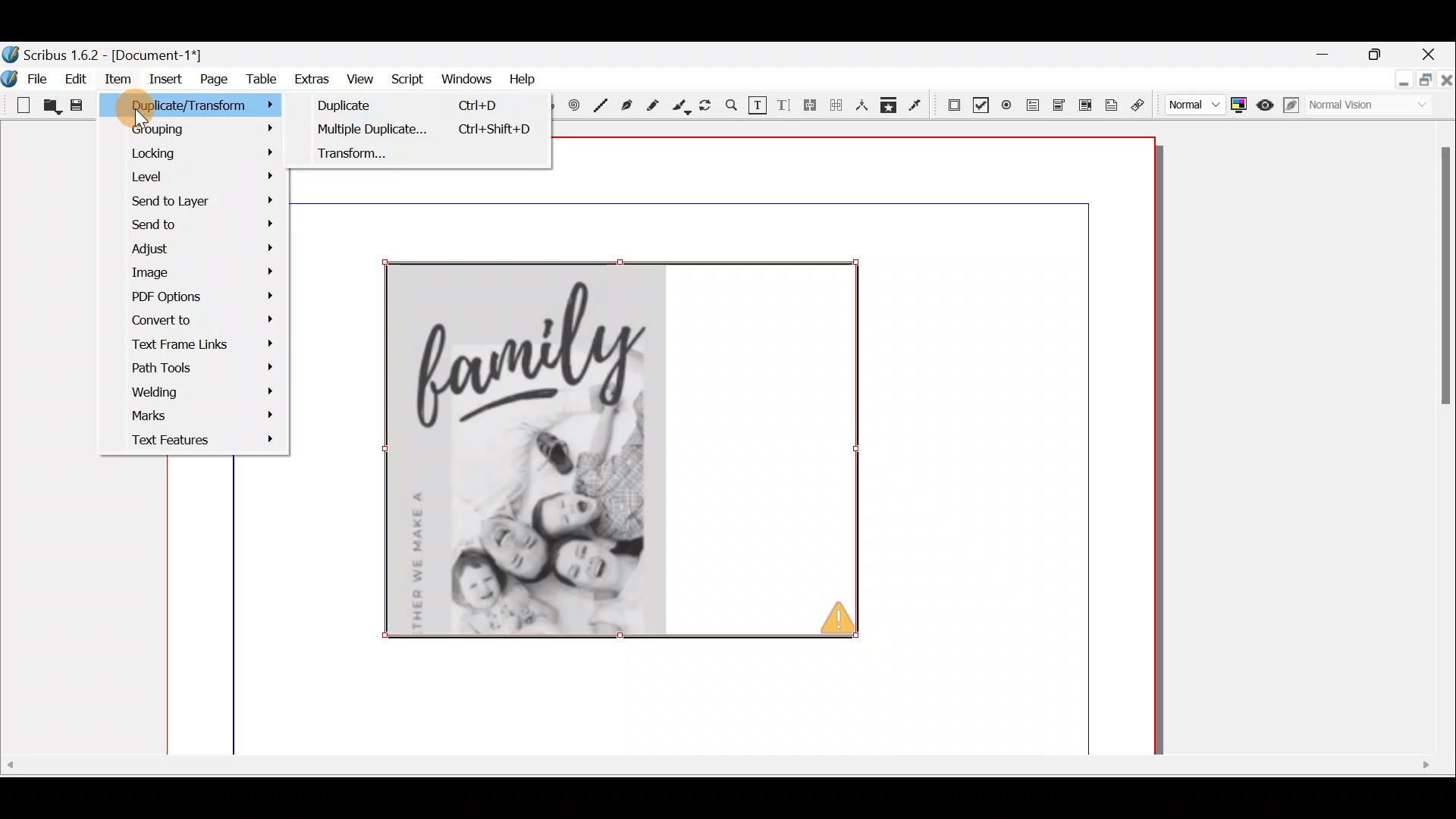 This screenshot has width=1456, height=819. I want to click on Maximise, so click(1377, 54).